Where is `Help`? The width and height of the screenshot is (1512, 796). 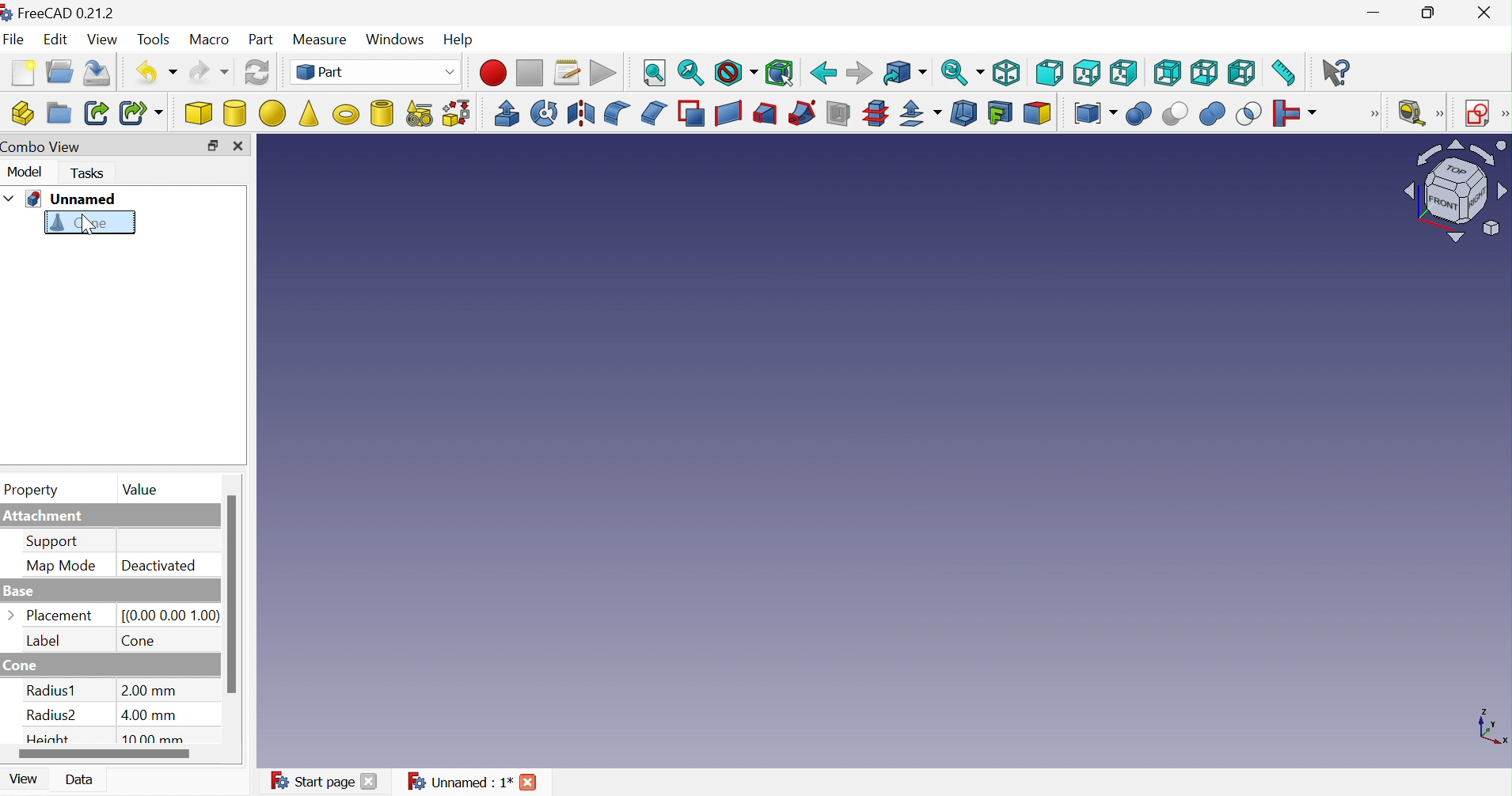
Help is located at coordinates (458, 37).